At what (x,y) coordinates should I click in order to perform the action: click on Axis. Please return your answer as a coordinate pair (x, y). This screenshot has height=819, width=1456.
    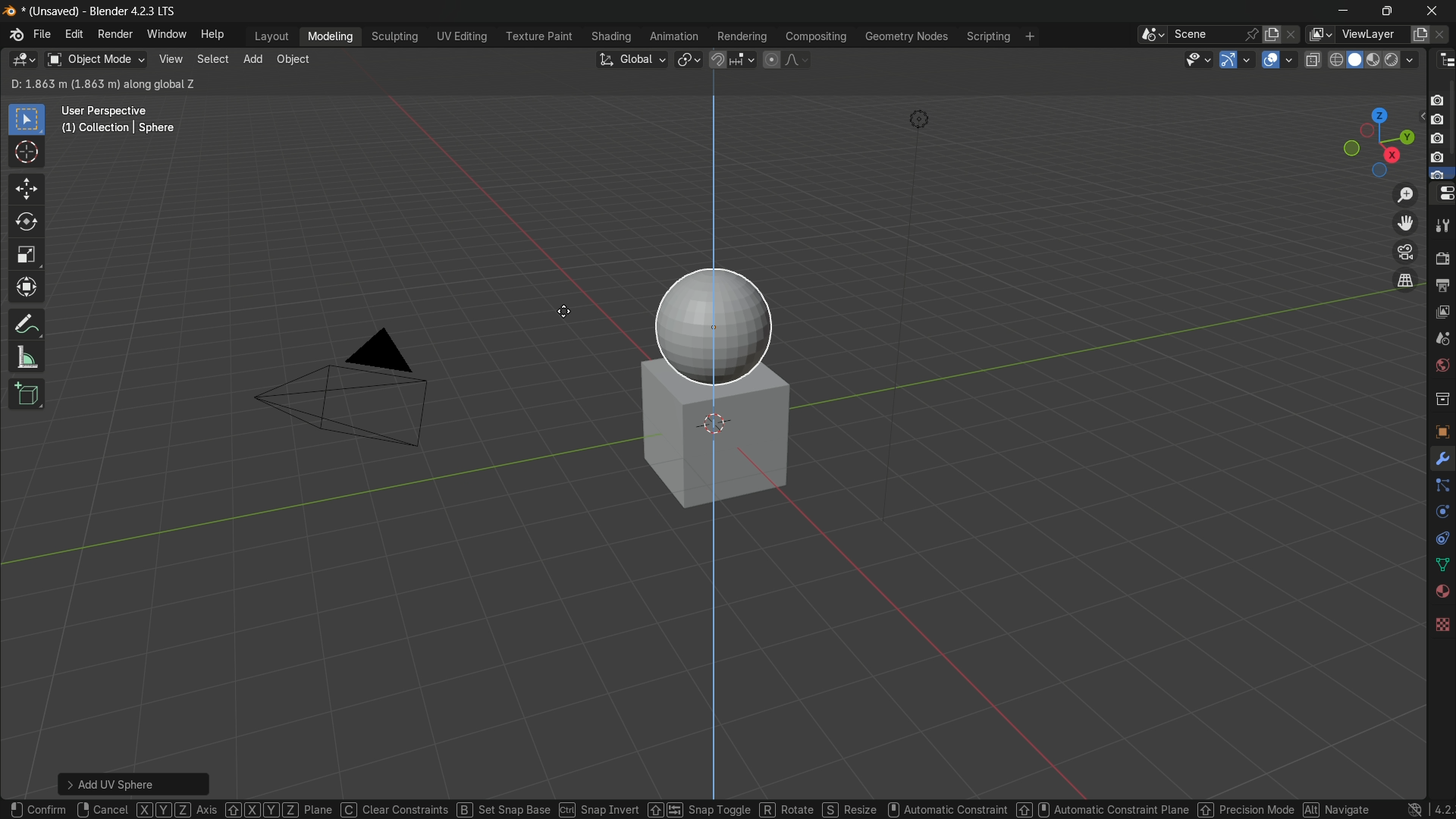
    Looking at the image, I should click on (178, 810).